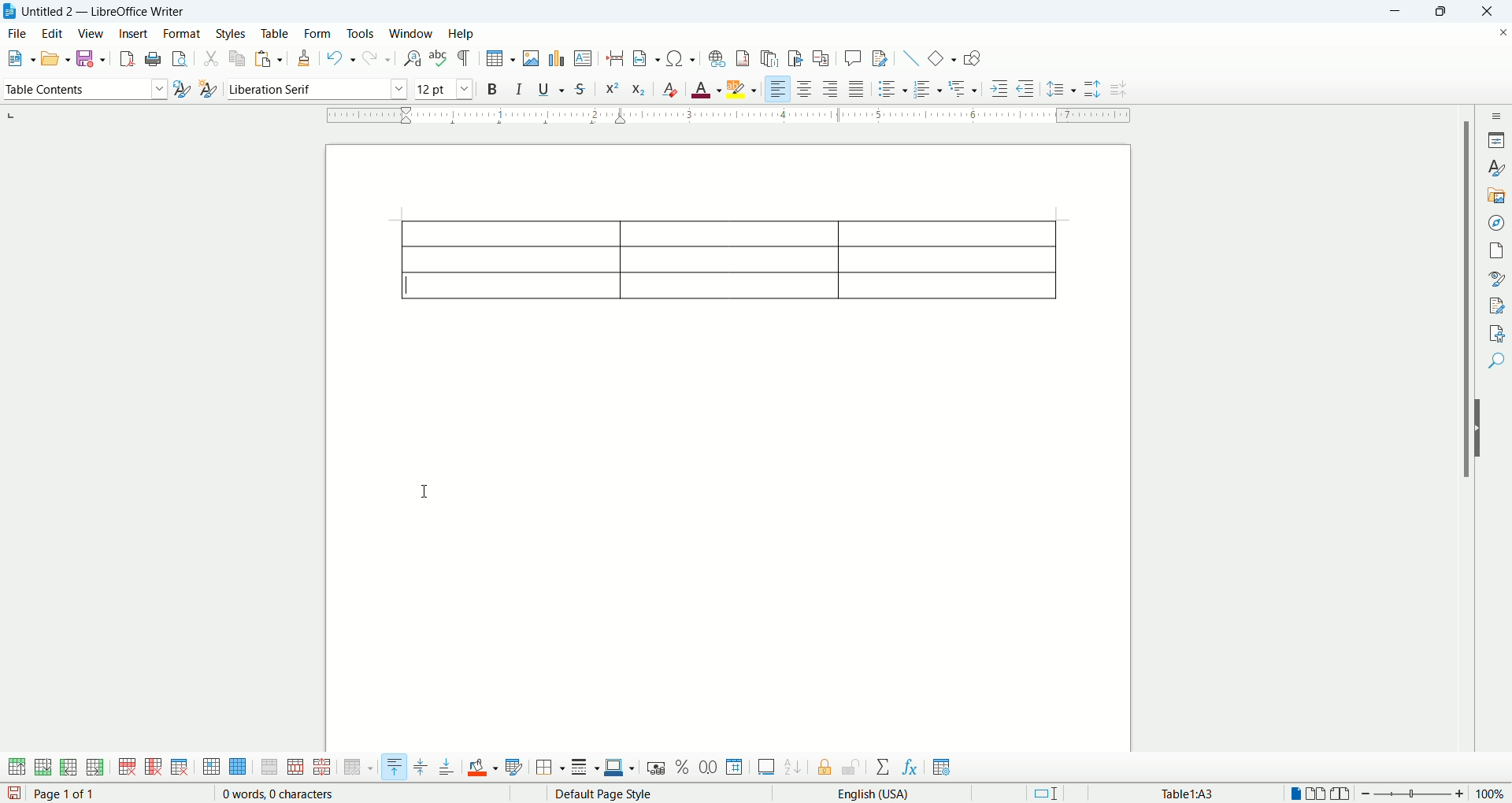 This screenshot has height=803, width=1512. What do you see at coordinates (128, 58) in the screenshot?
I see `export as PDF` at bounding box center [128, 58].